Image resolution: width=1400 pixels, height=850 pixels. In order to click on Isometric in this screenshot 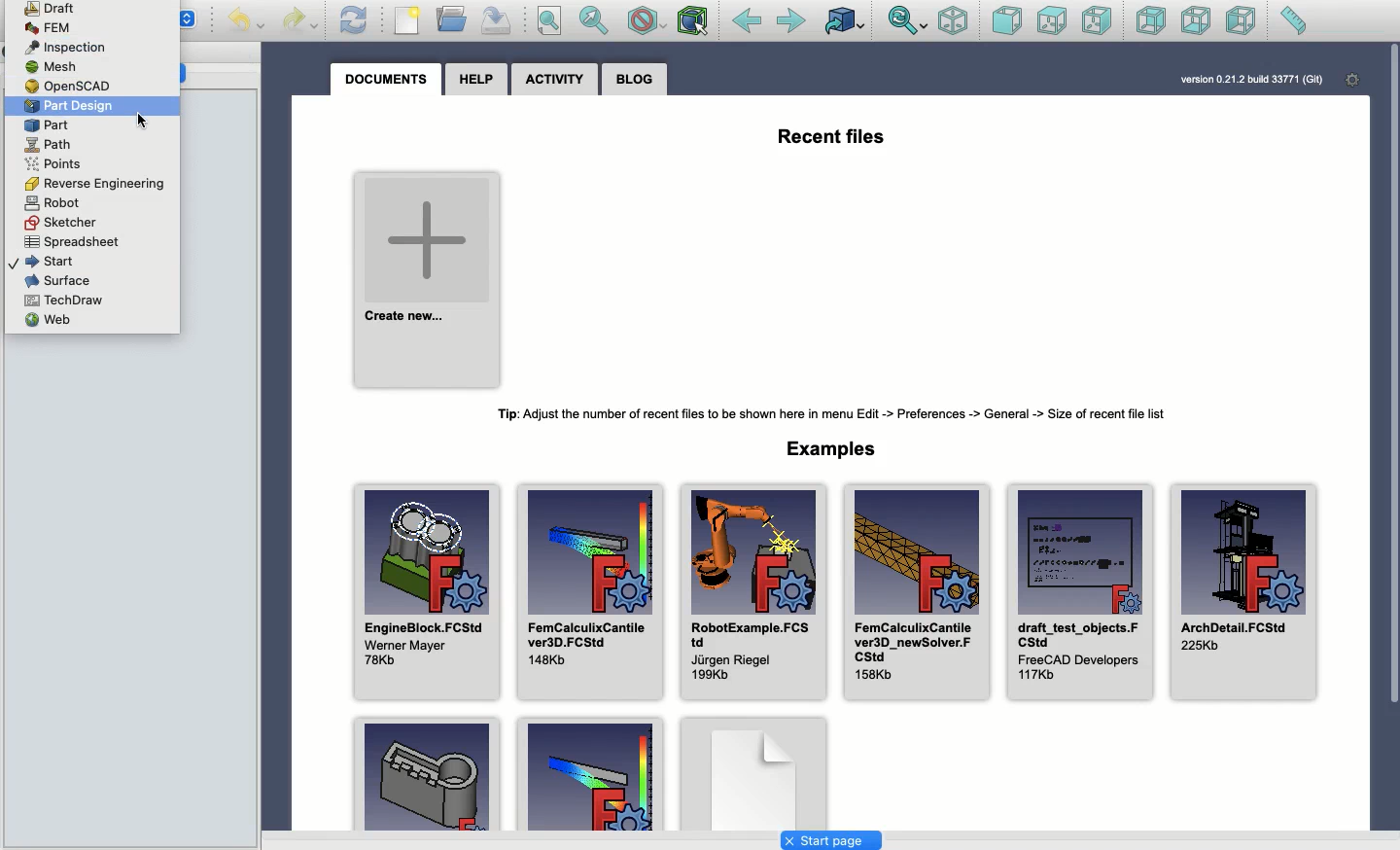, I will do `click(952, 22)`.